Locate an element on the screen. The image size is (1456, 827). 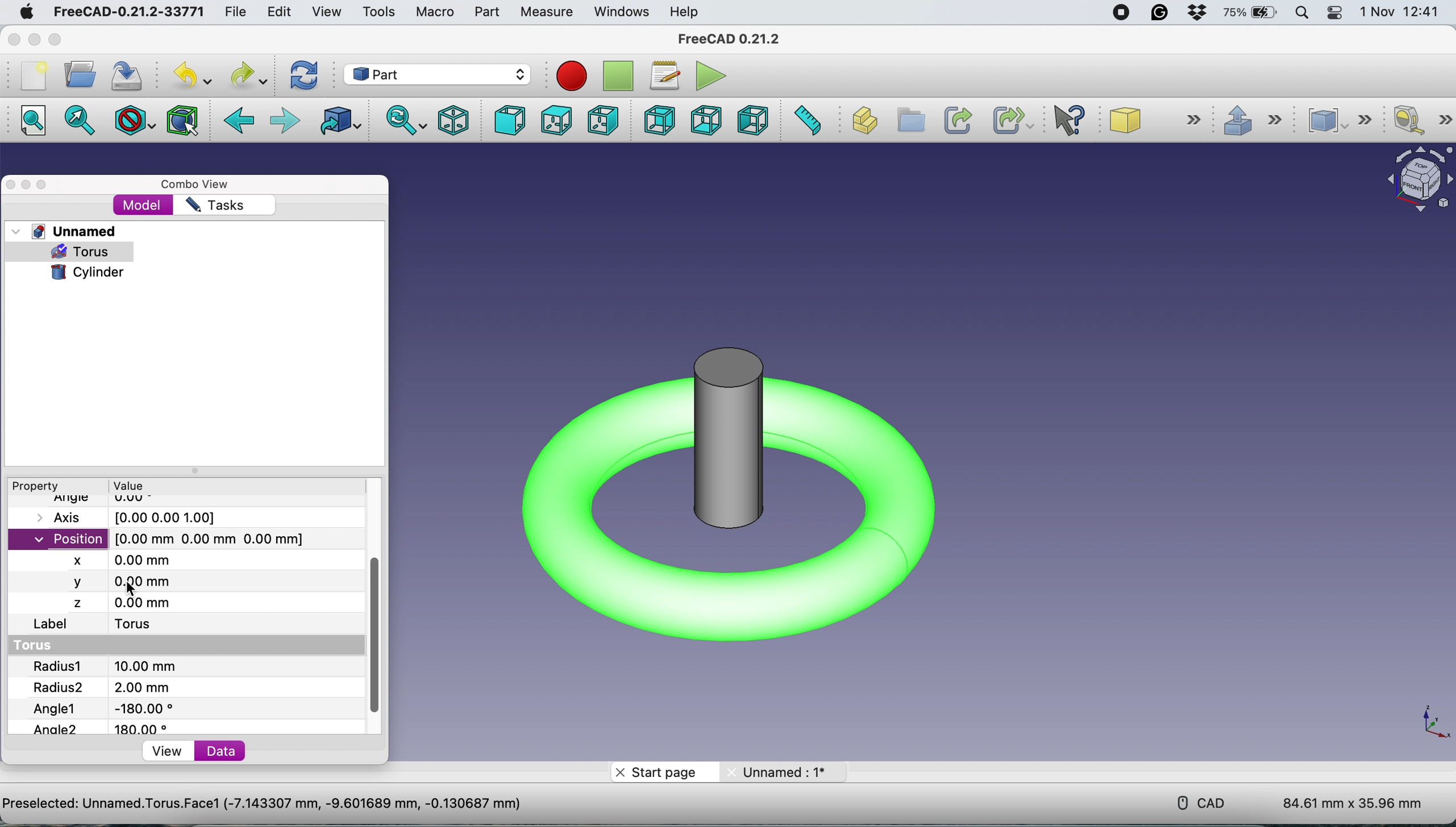
tasks is located at coordinates (215, 206).